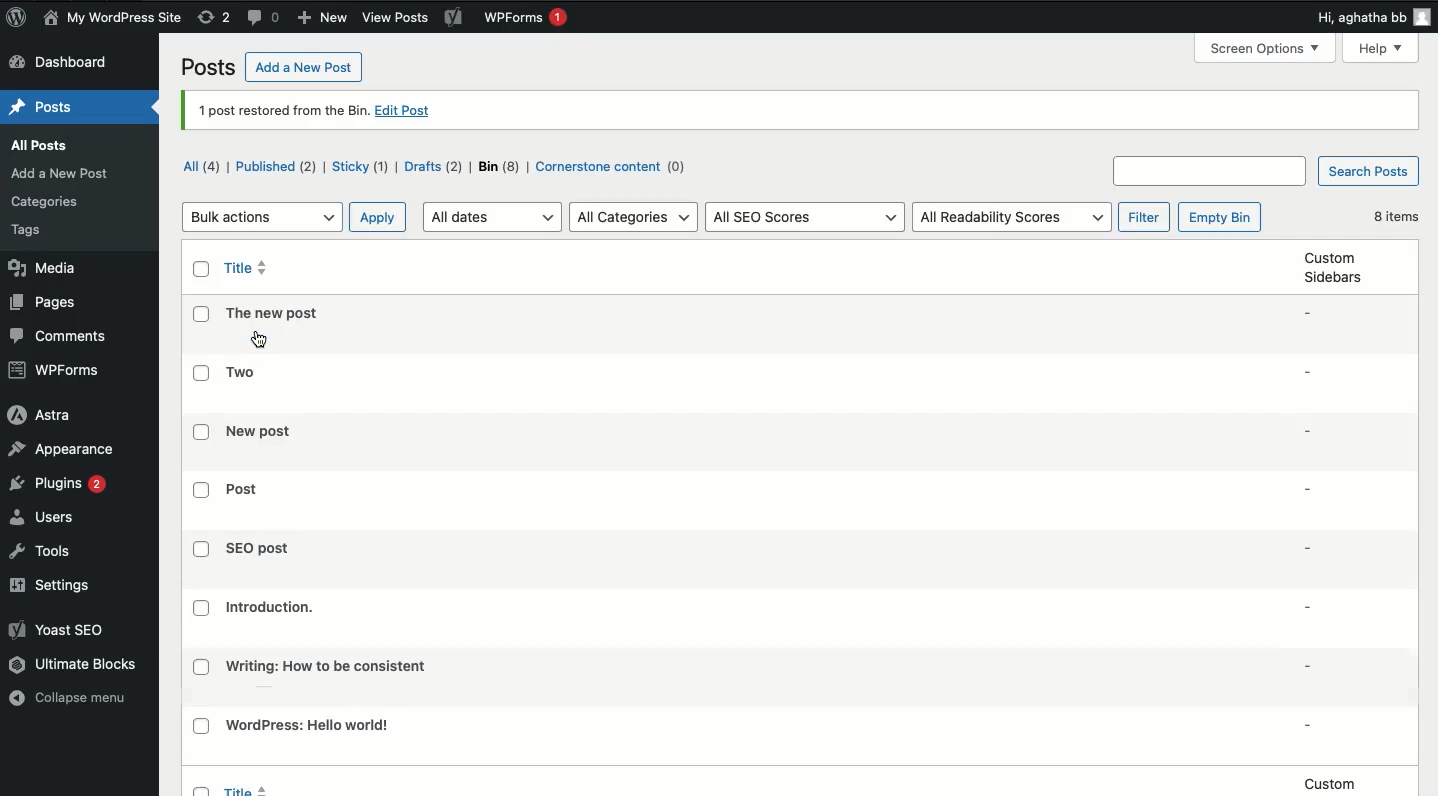 The width and height of the screenshot is (1438, 796). Describe the element at coordinates (310, 722) in the screenshot. I see `Title` at that location.